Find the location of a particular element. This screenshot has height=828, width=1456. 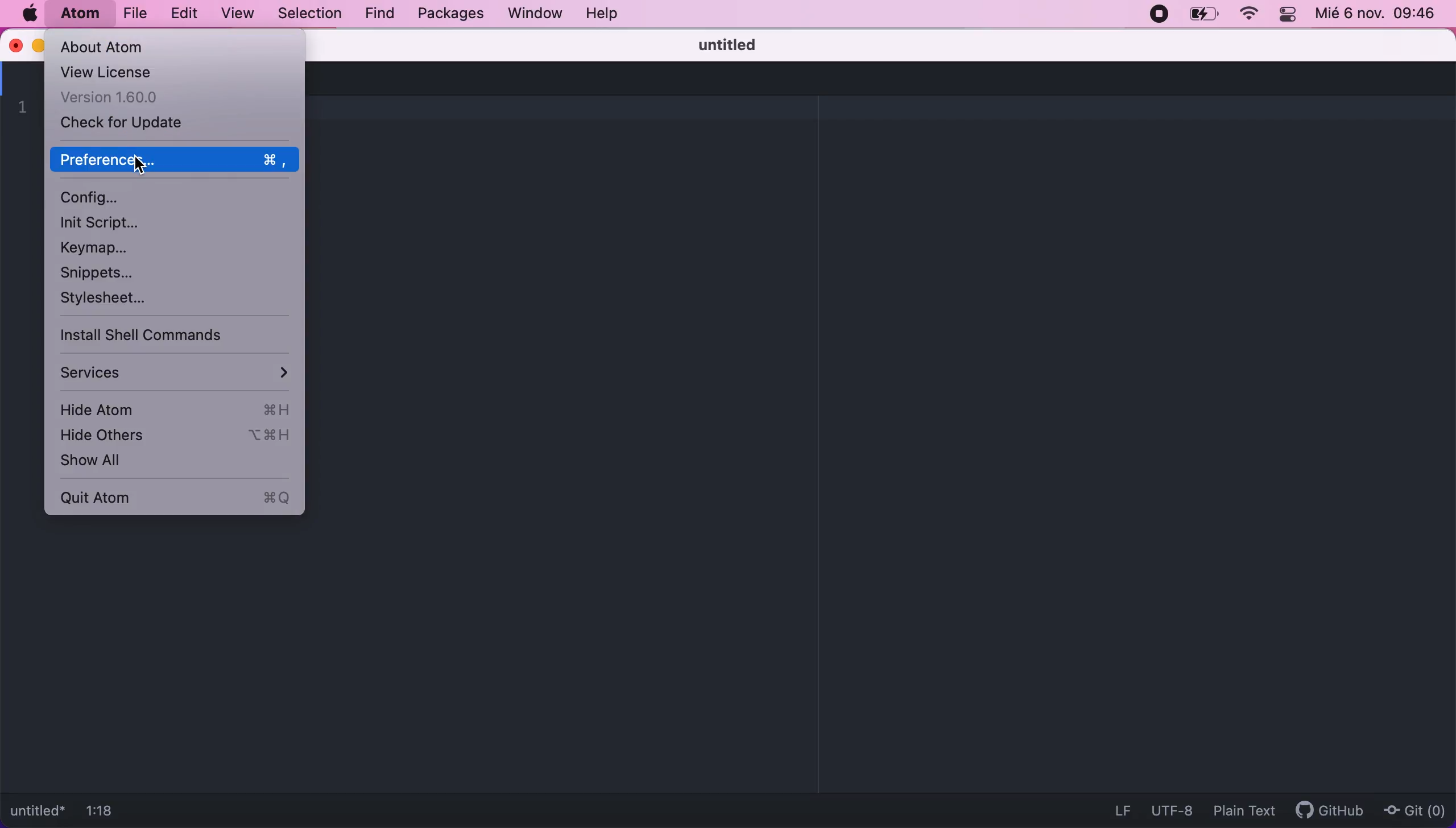

keymap is located at coordinates (103, 247).